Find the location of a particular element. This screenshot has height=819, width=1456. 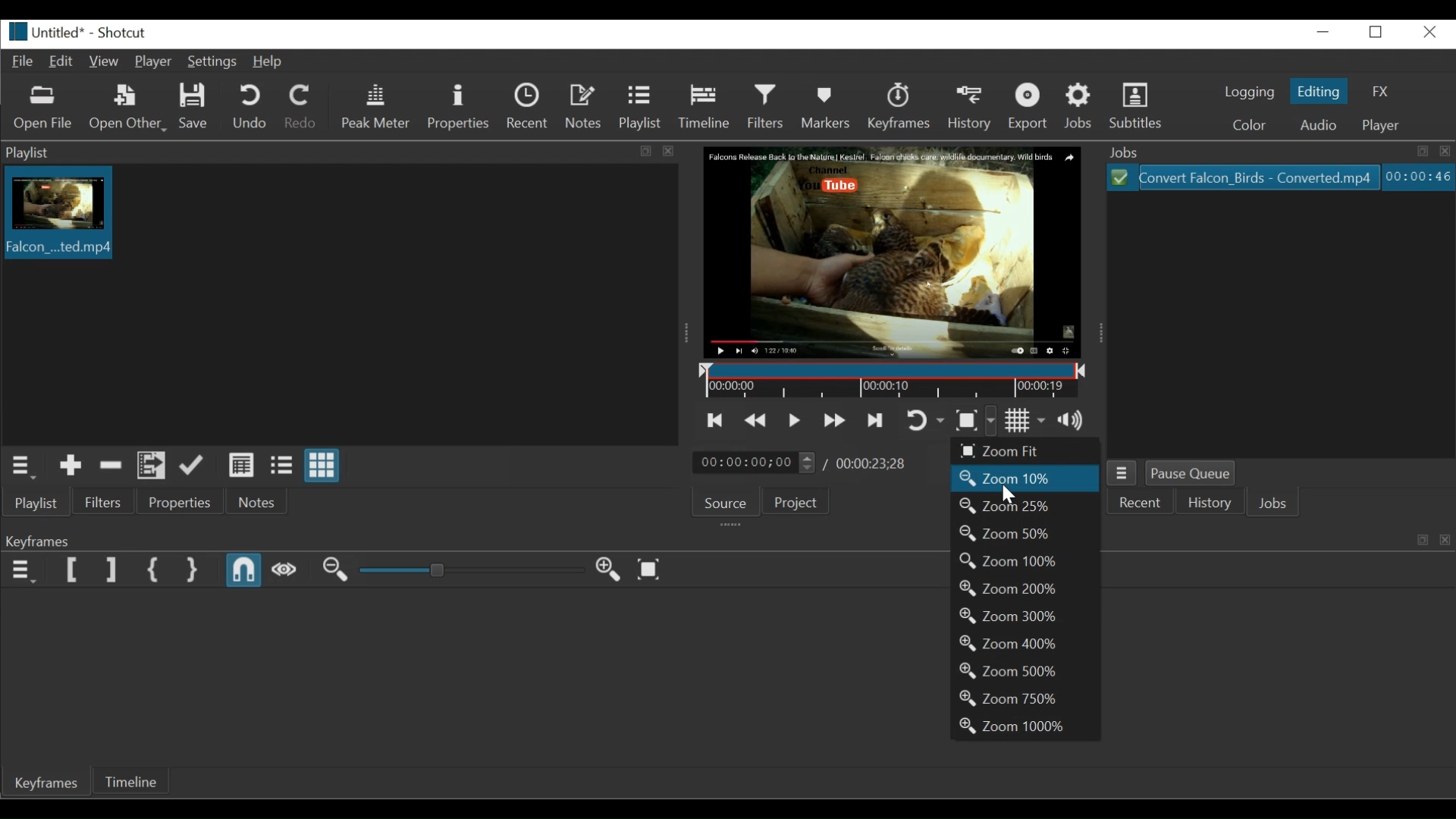

Notes is located at coordinates (254, 500).